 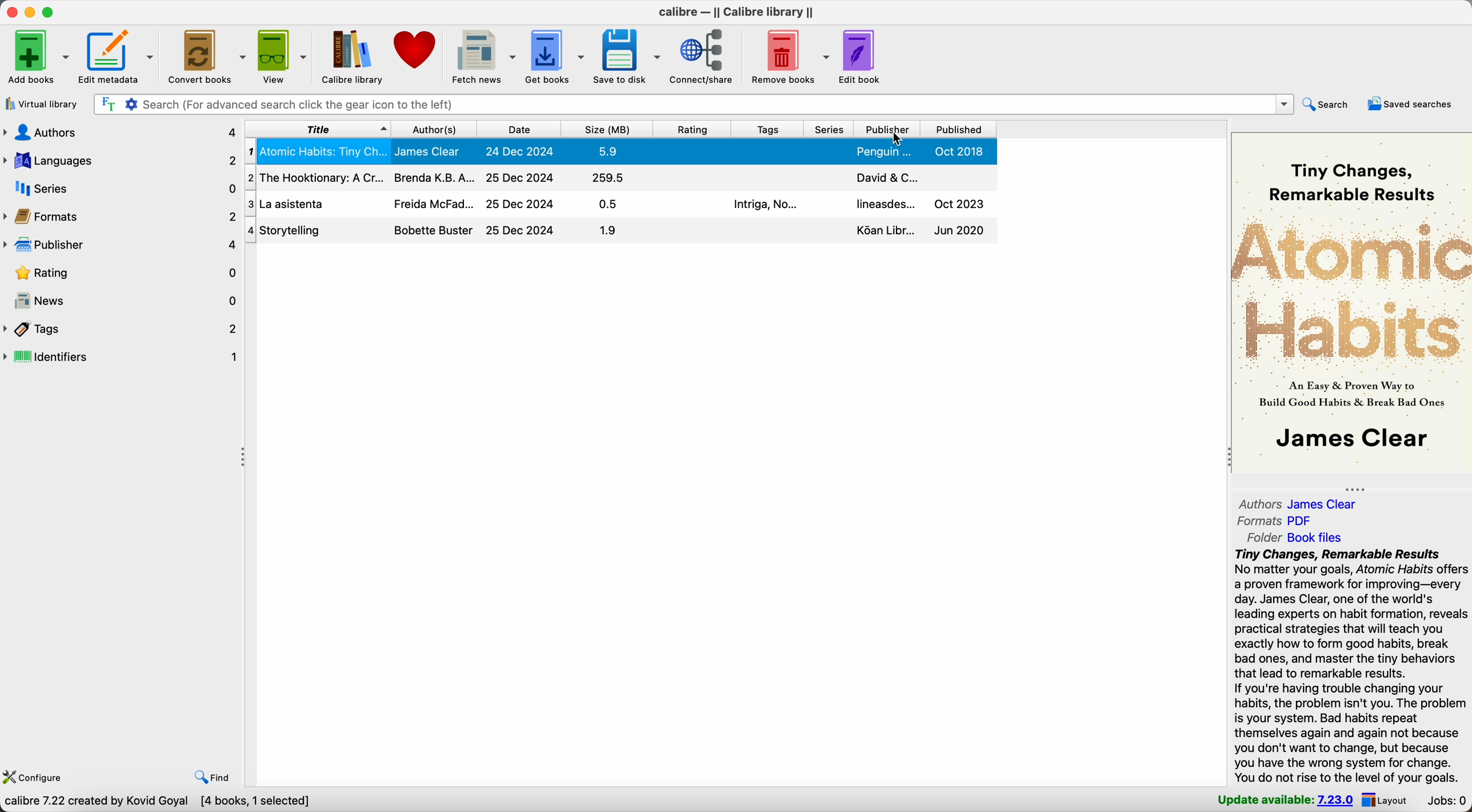 What do you see at coordinates (293, 230) in the screenshot?
I see `storytelling` at bounding box center [293, 230].